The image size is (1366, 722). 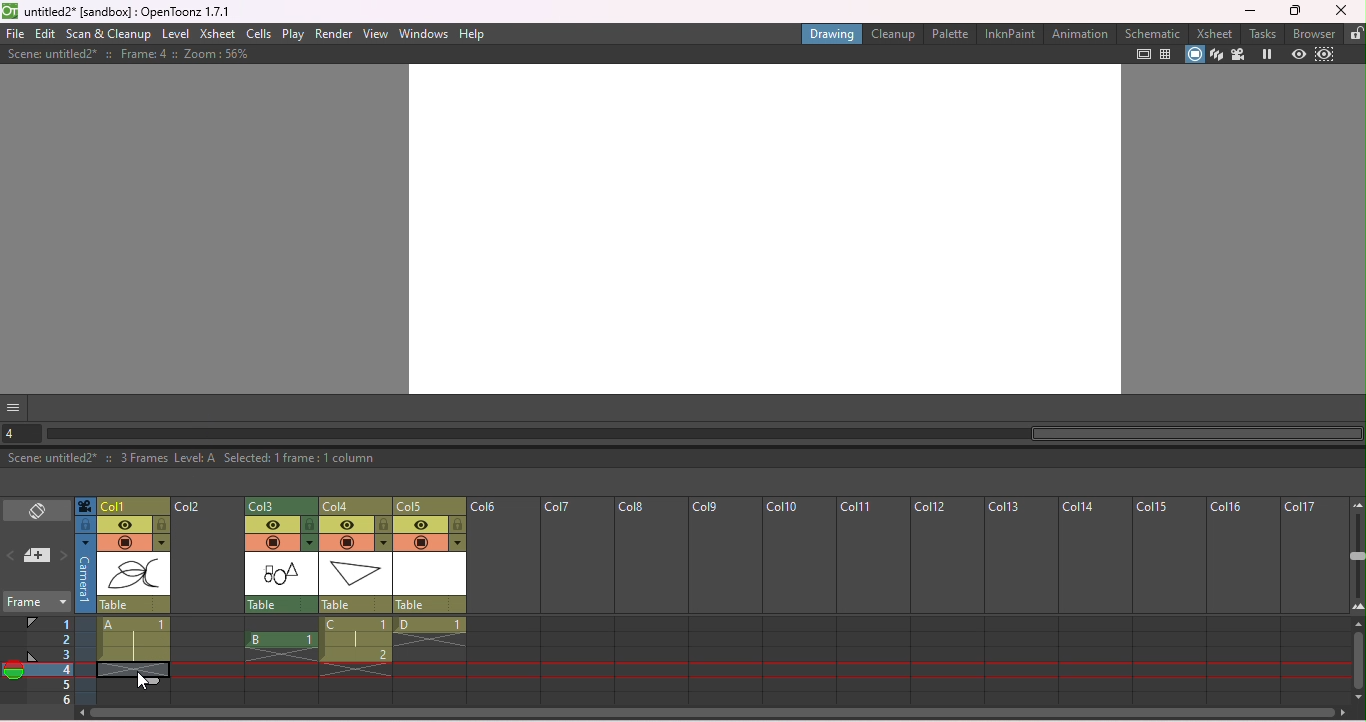 I want to click on Column 10, so click(x=800, y=601).